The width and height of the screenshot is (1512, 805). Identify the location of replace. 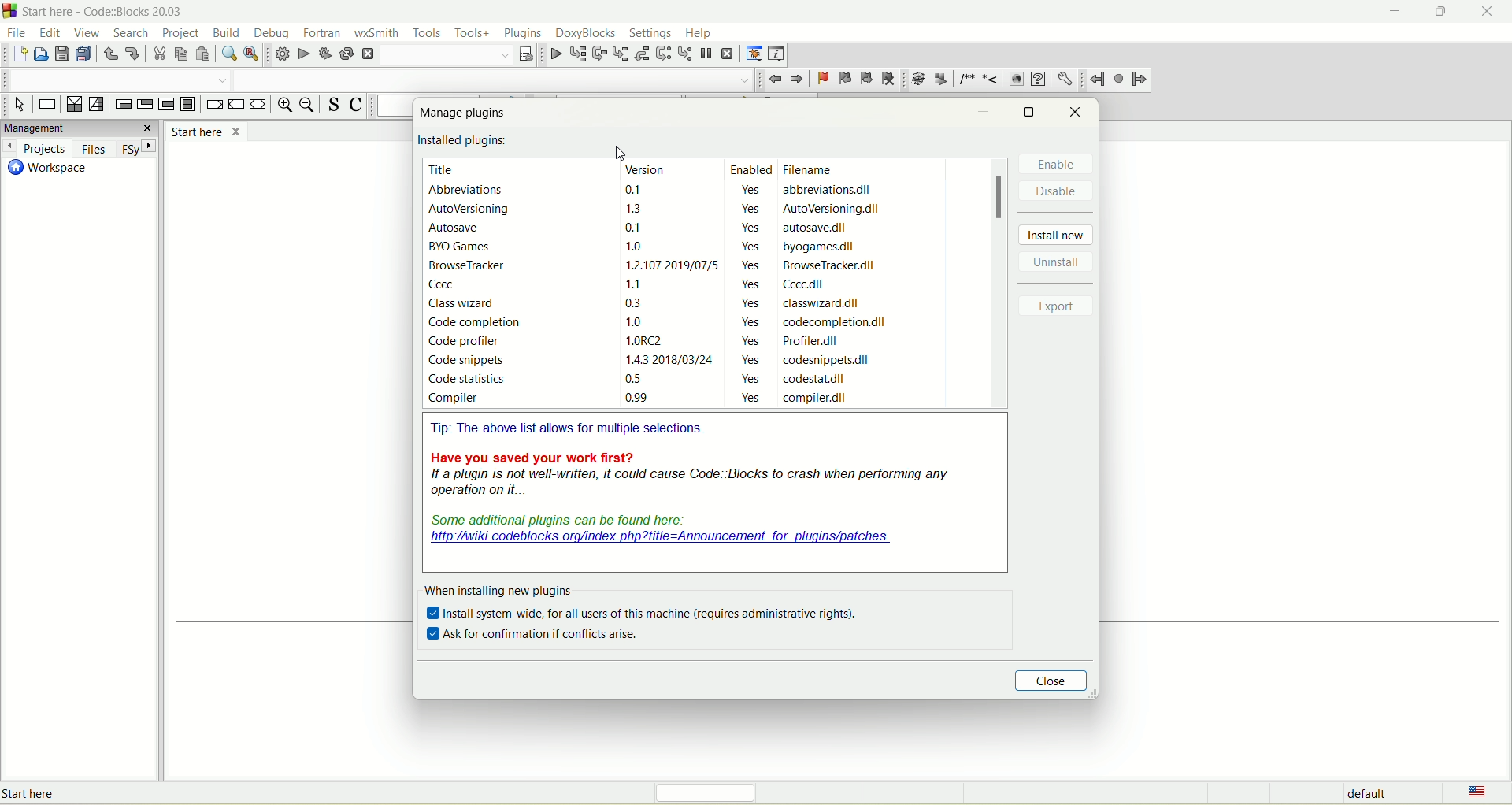
(252, 54).